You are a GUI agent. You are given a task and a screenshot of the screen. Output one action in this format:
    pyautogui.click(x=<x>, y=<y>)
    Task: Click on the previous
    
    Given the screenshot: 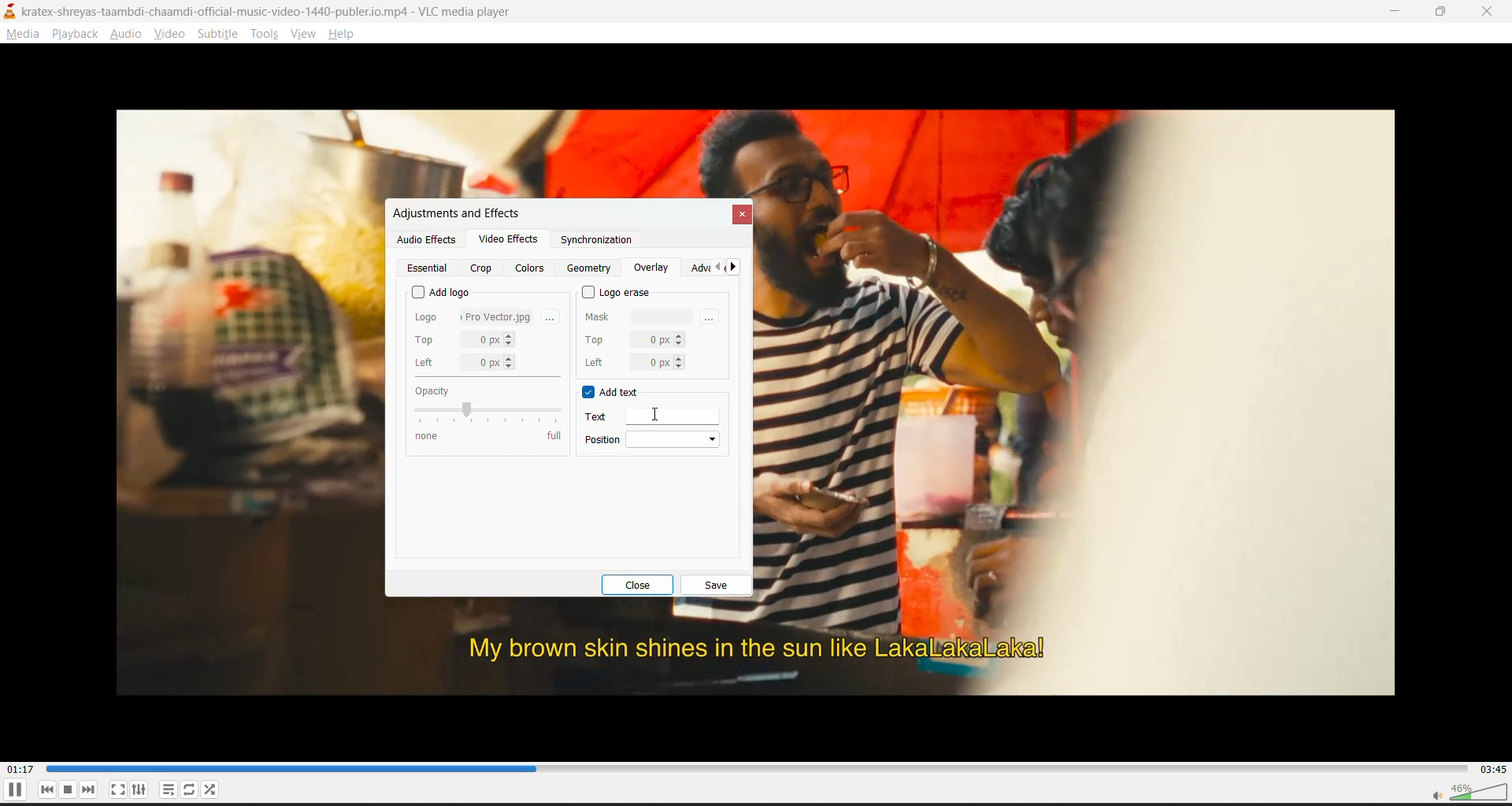 What is the action you would take?
    pyautogui.click(x=716, y=269)
    